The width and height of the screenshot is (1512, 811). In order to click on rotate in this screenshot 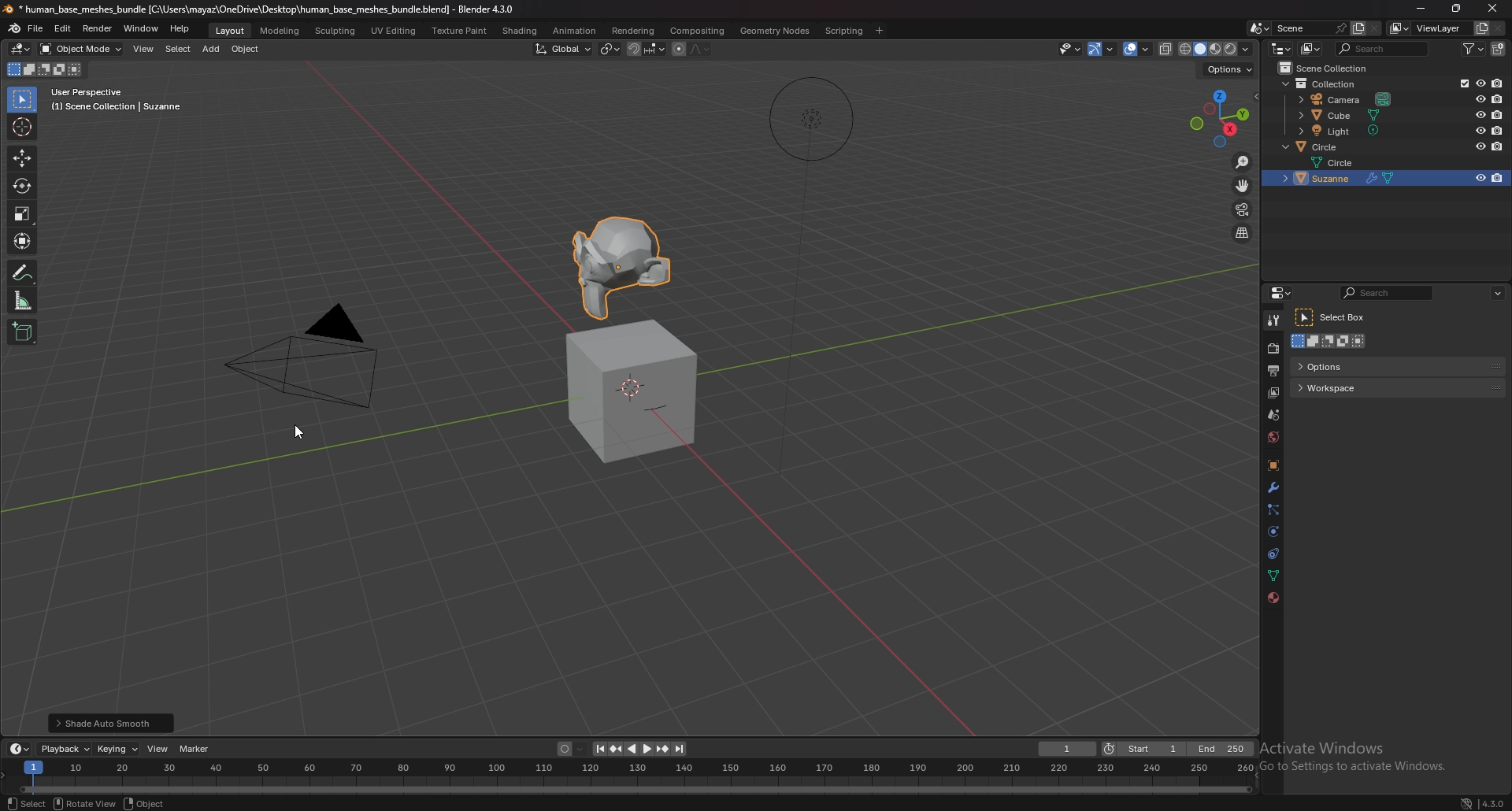, I will do `click(23, 185)`.